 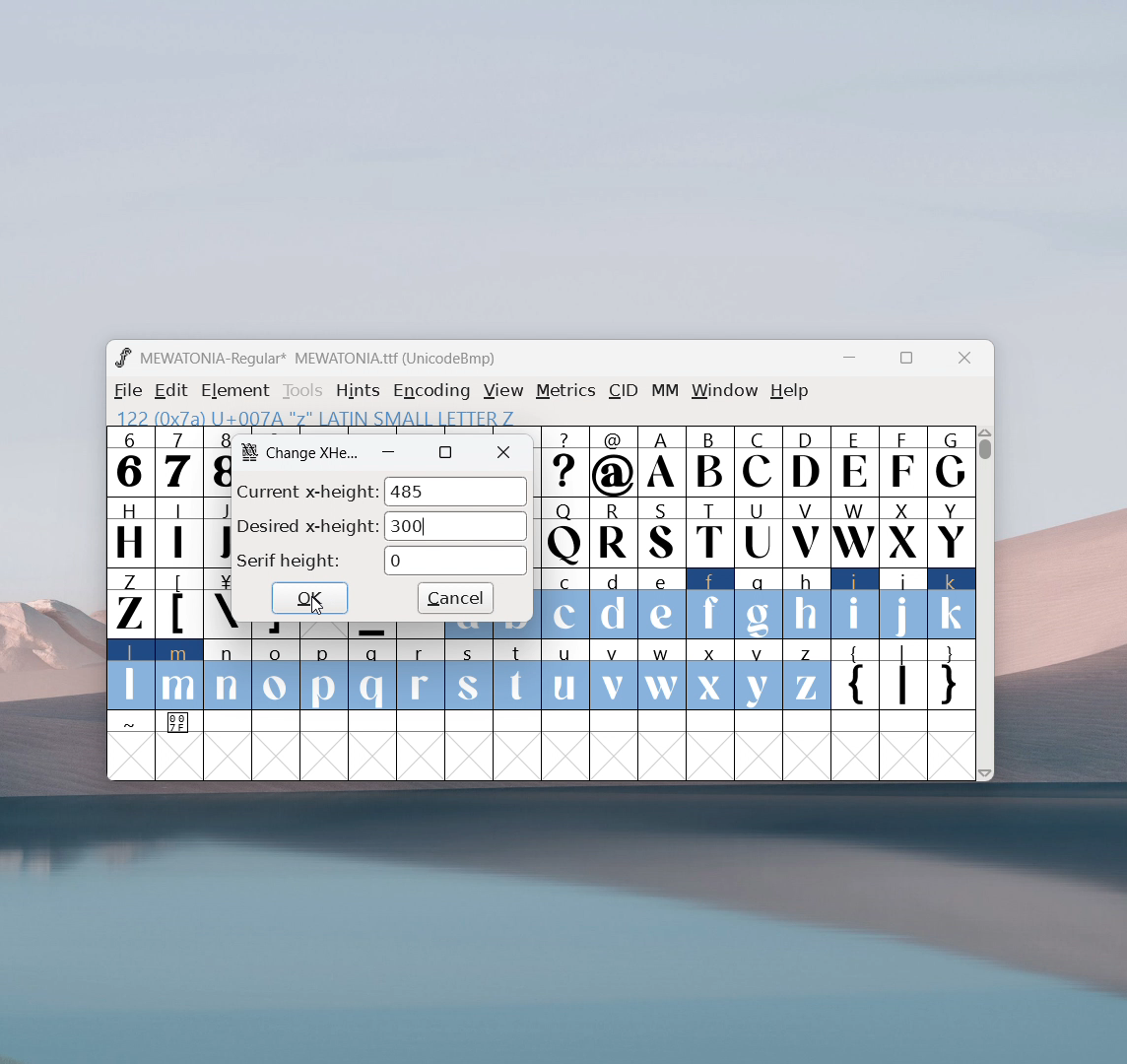 I want to click on z, so click(x=806, y=675).